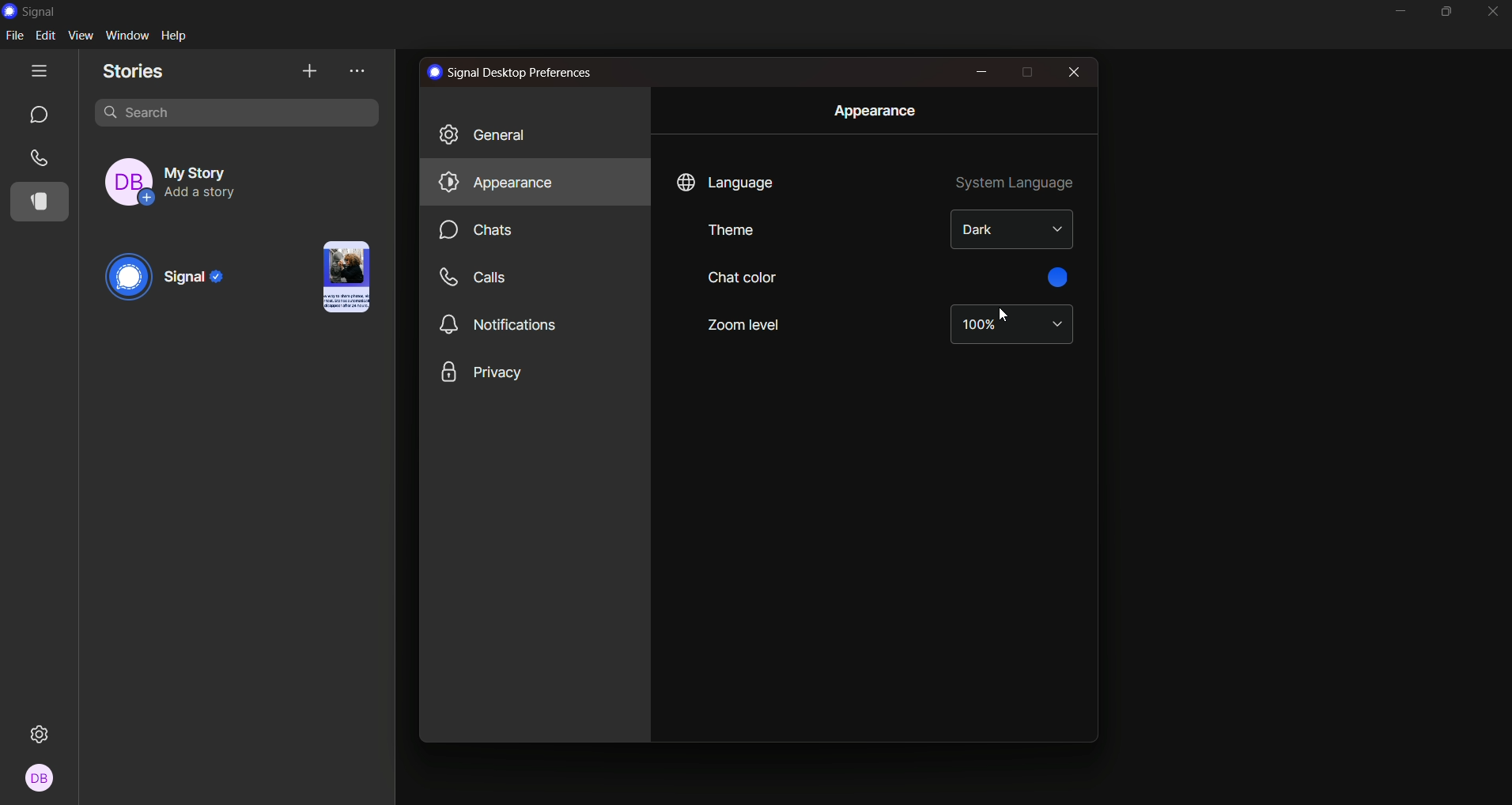 This screenshot has height=805, width=1512. Describe the element at coordinates (1072, 72) in the screenshot. I see `close` at that location.